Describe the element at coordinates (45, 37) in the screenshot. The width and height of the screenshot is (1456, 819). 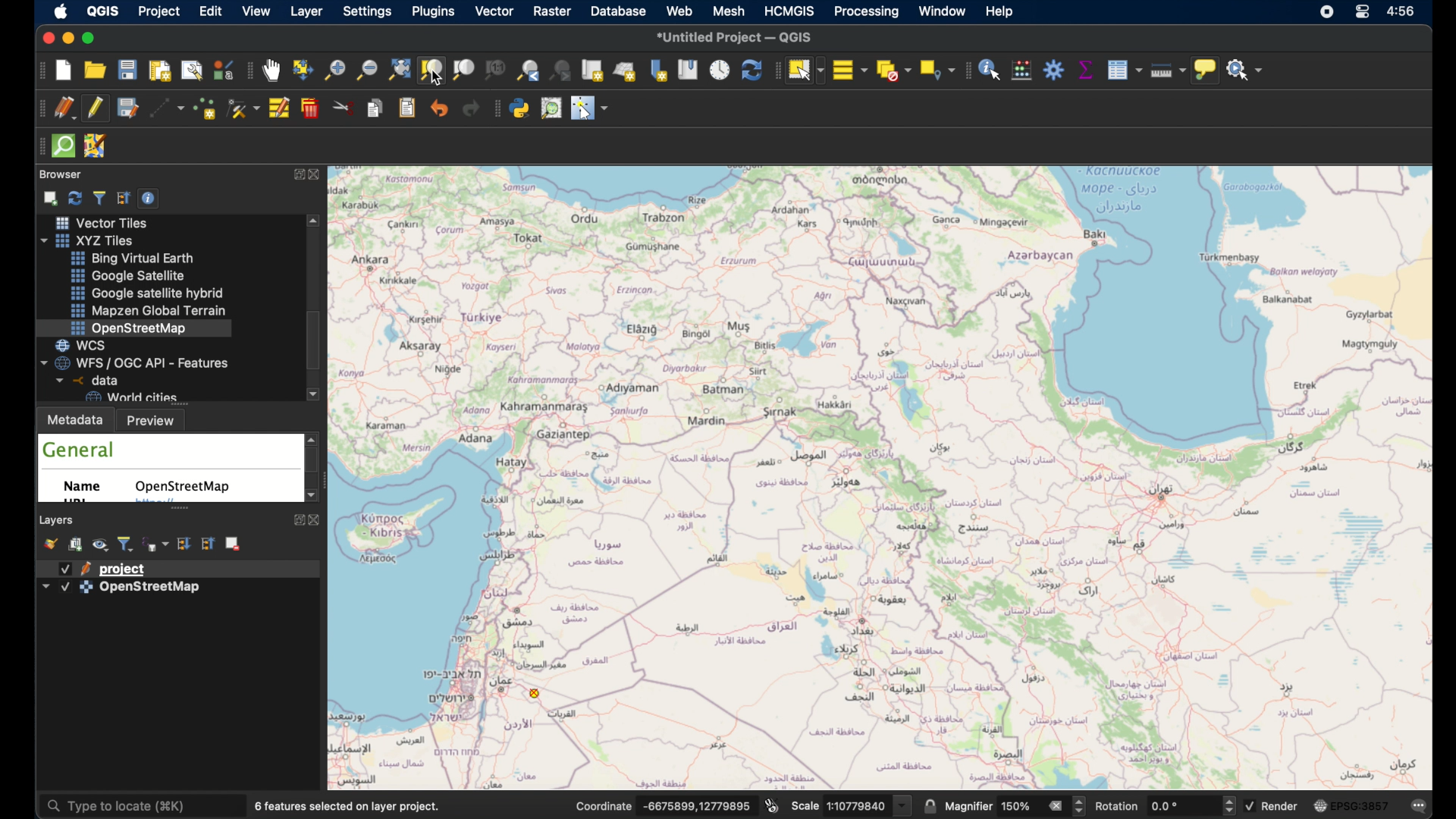
I see `close` at that location.